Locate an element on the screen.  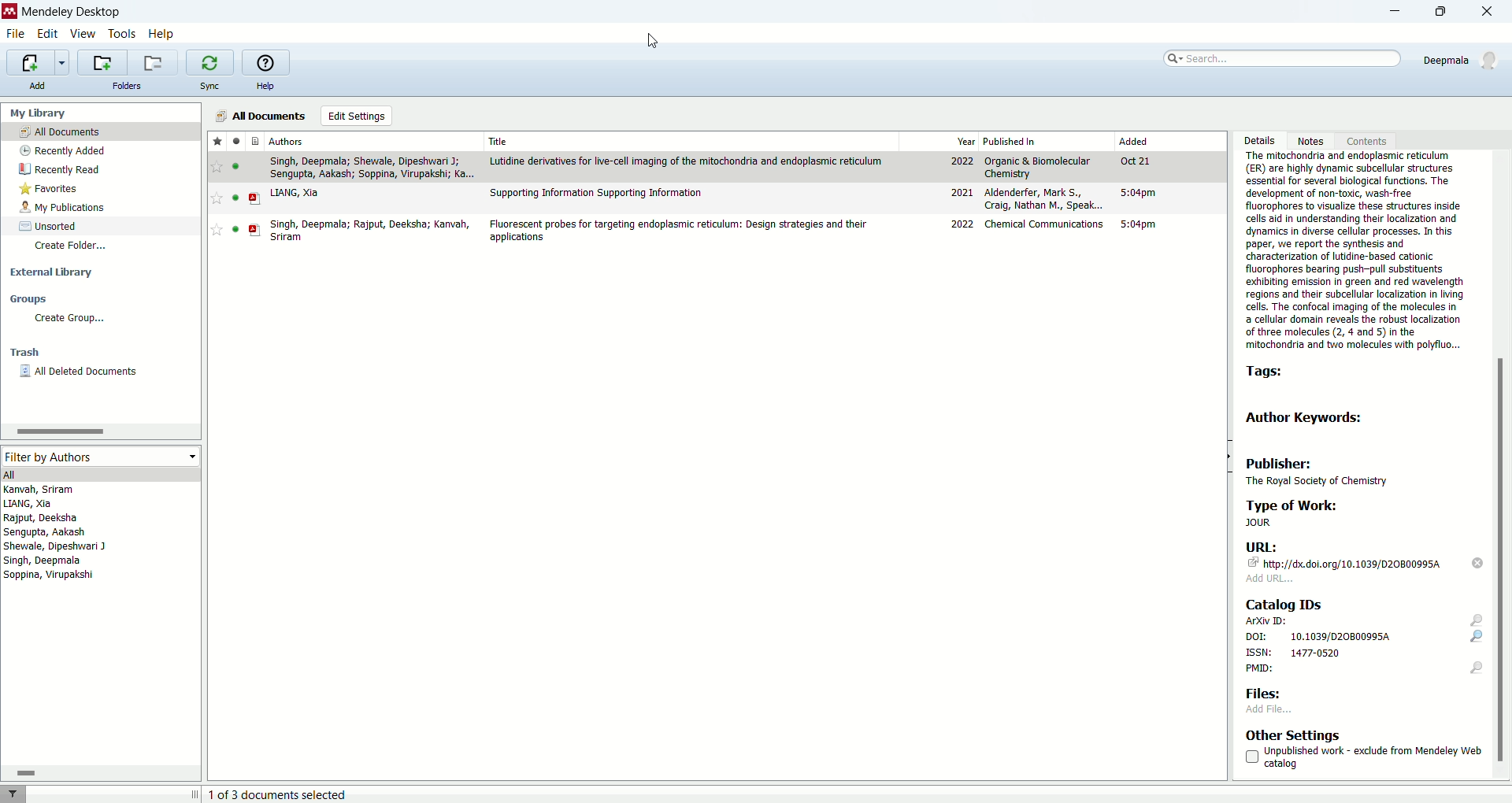
cursor is located at coordinates (654, 41).